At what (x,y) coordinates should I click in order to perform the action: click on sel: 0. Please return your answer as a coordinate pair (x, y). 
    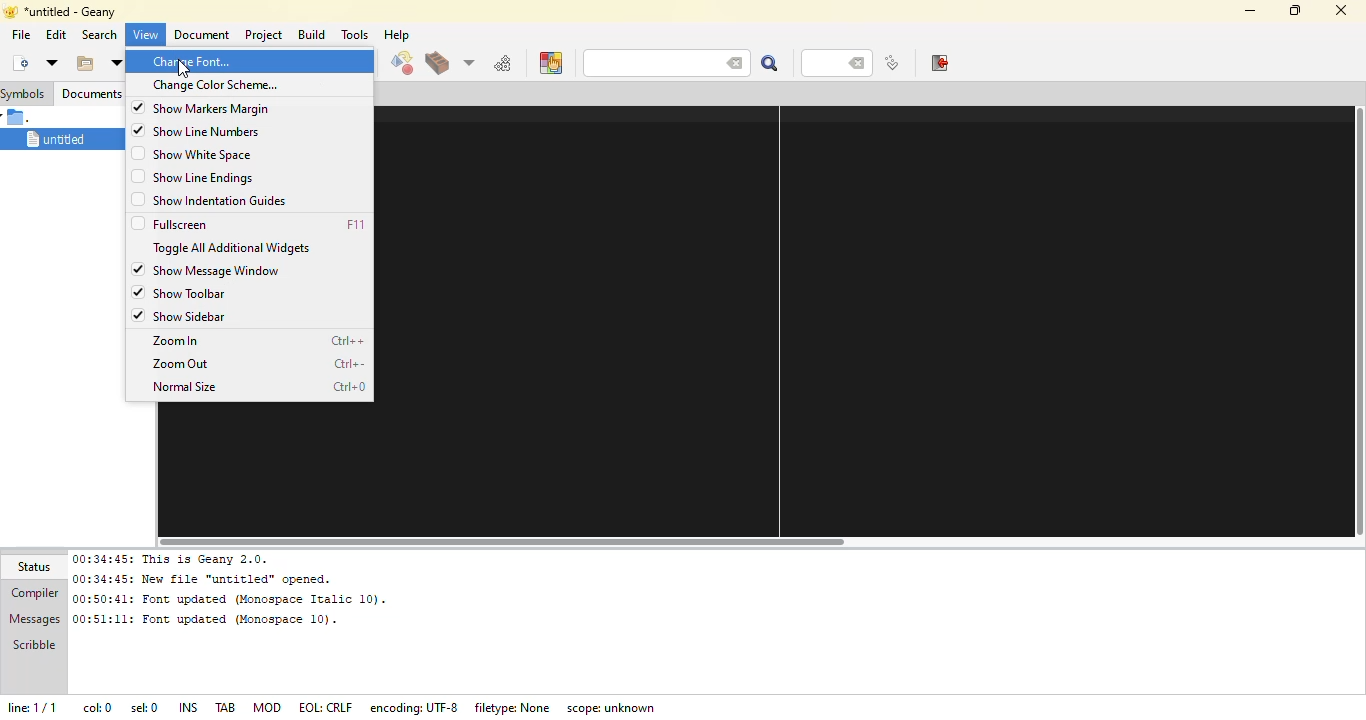
    Looking at the image, I should click on (142, 708).